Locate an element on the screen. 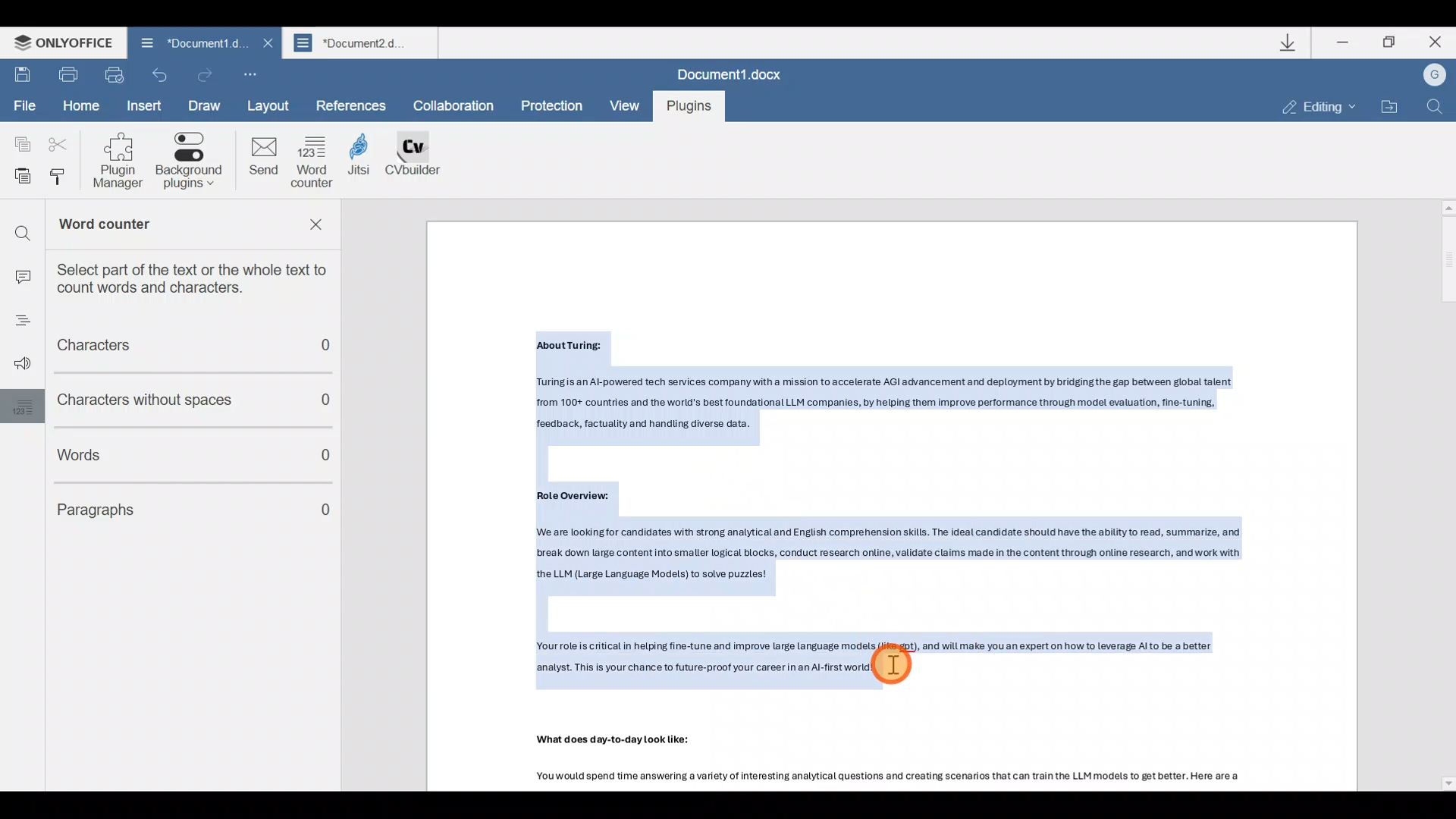 This screenshot has width=1456, height=819. Home is located at coordinates (80, 105).